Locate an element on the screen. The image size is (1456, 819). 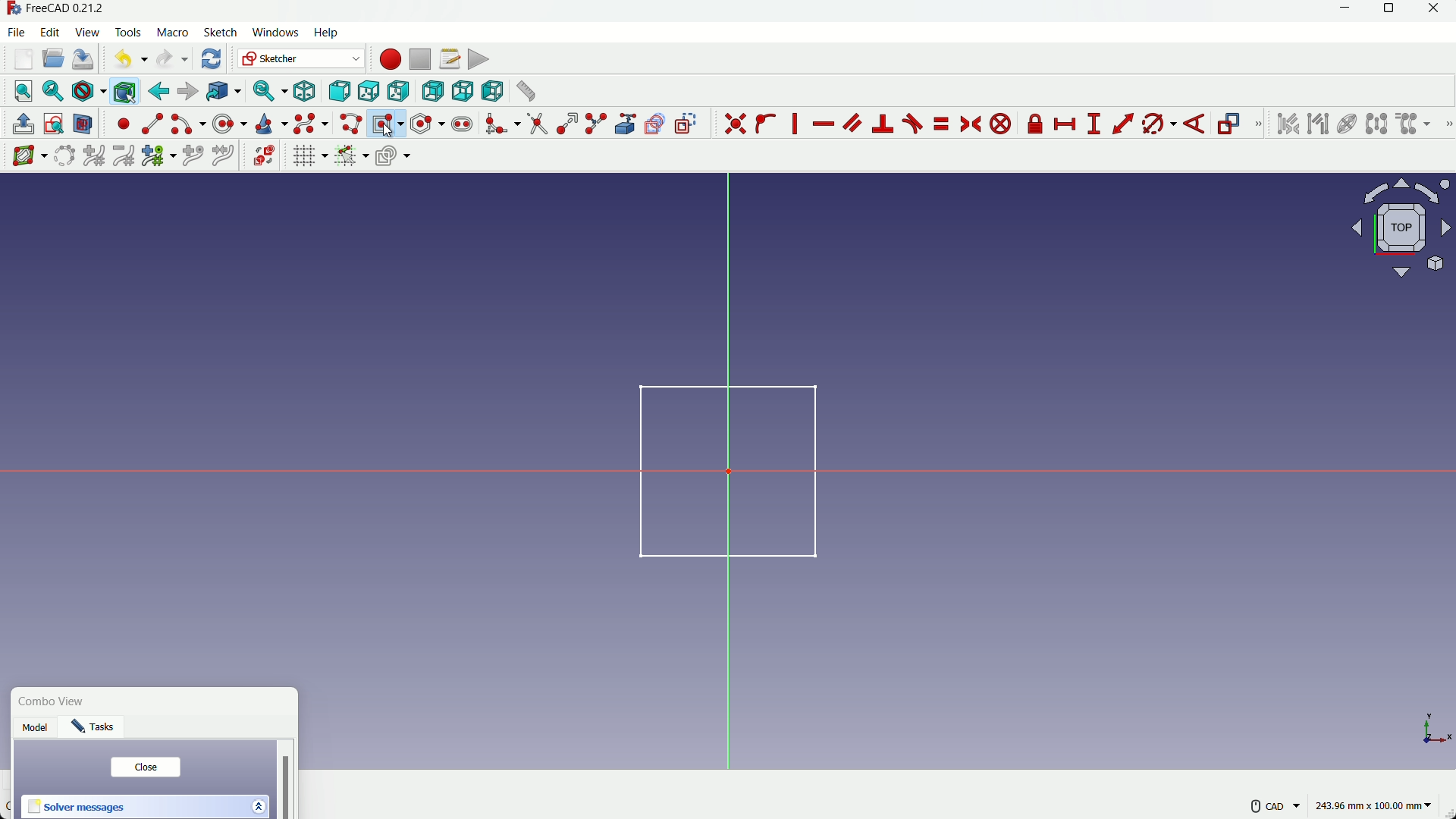
toggle driving/ reference constraint is located at coordinates (1232, 125).